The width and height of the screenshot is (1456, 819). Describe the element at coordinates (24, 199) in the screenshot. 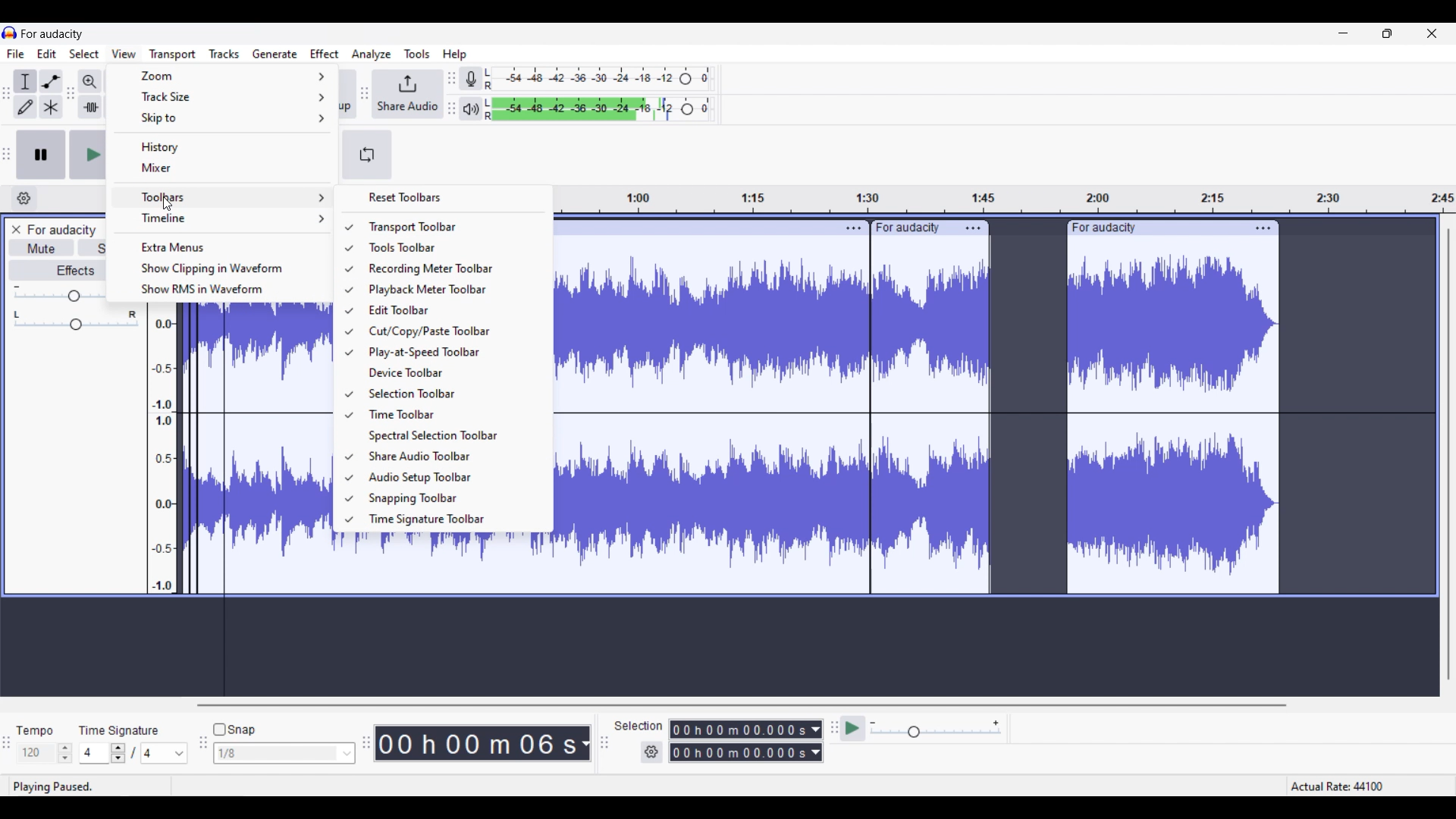

I see `Timeline settings` at that location.